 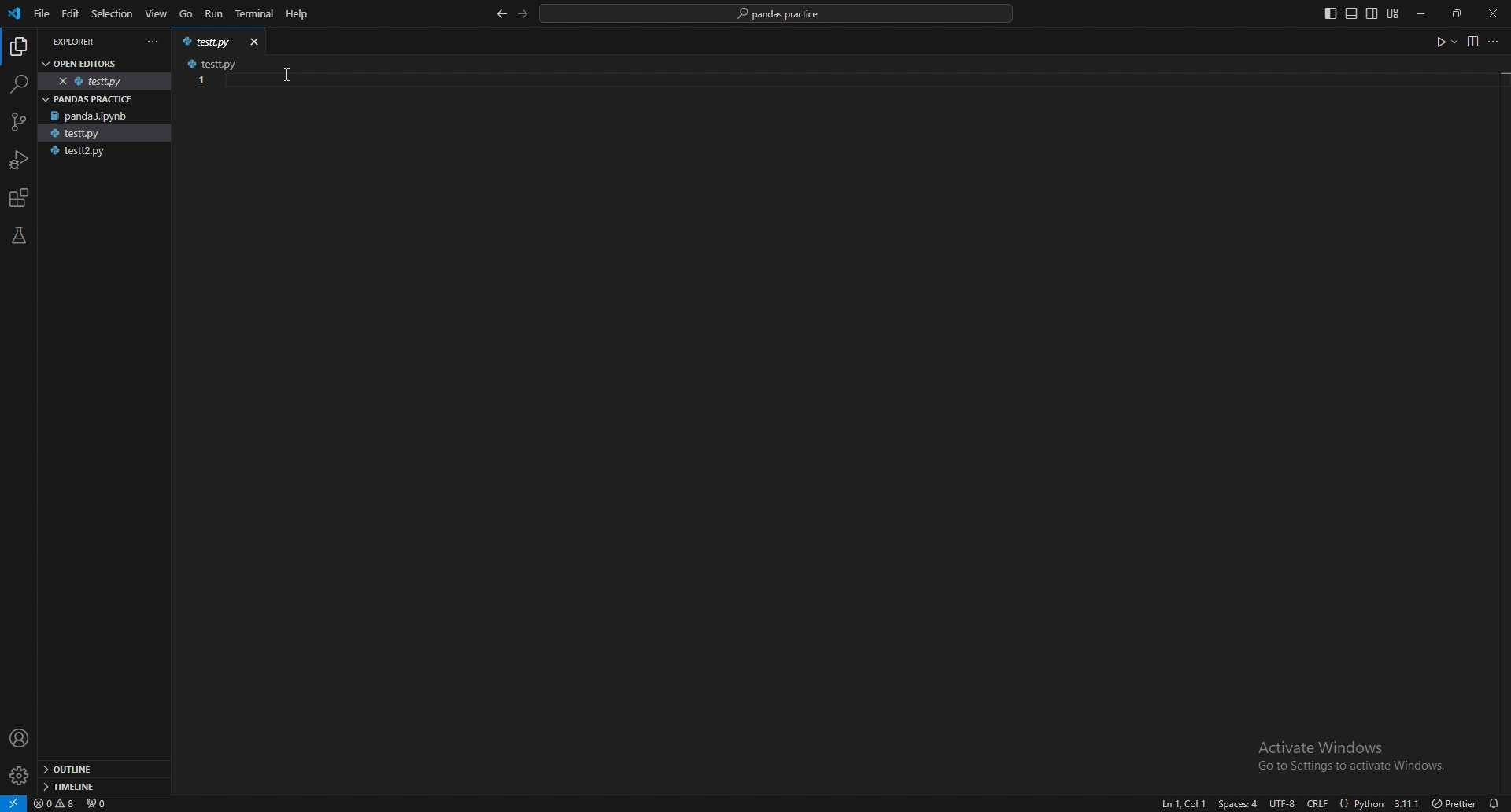 What do you see at coordinates (1392, 14) in the screenshot?
I see `customize layout` at bounding box center [1392, 14].